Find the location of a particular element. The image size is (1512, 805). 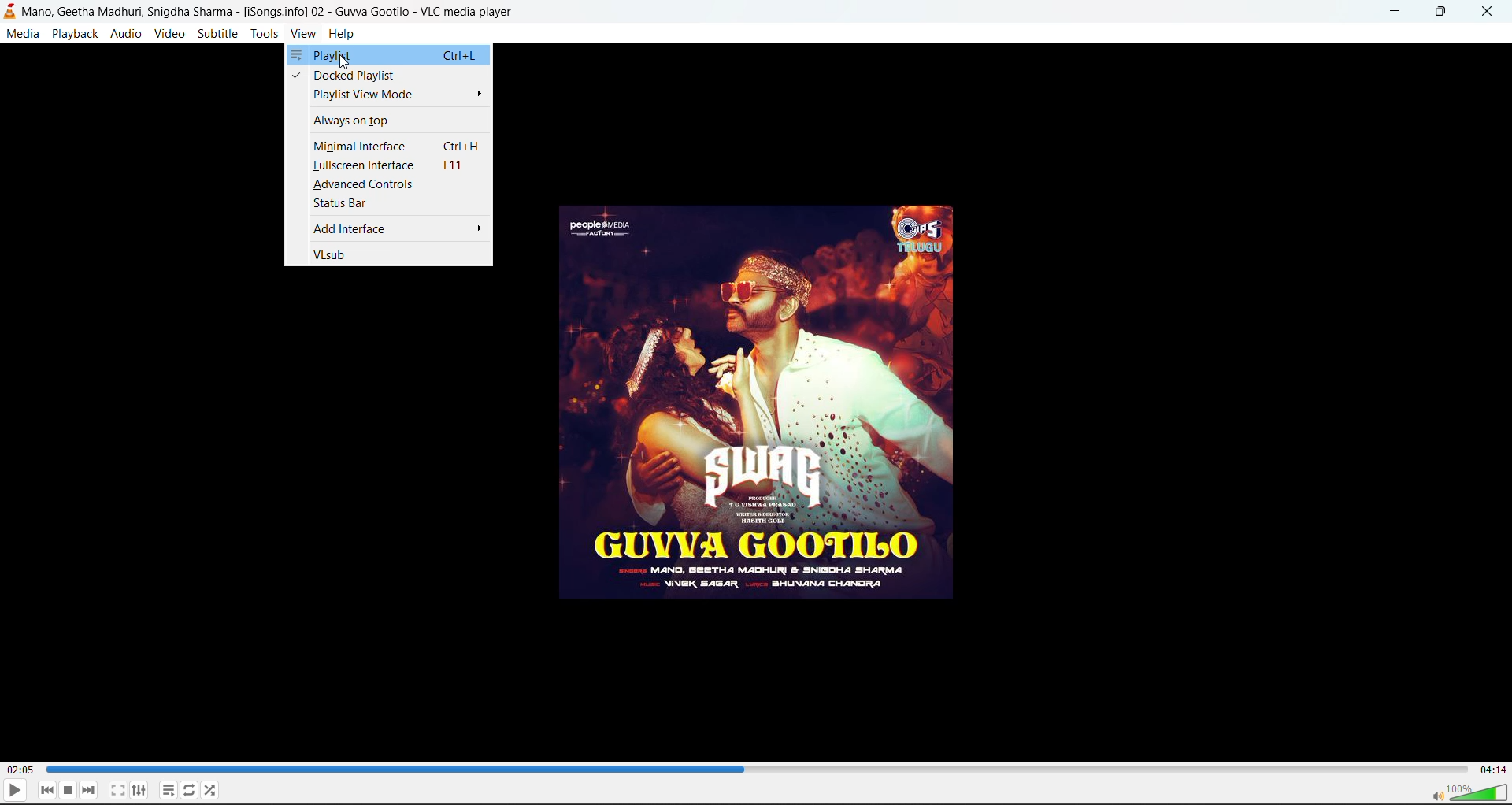

view is located at coordinates (304, 33).